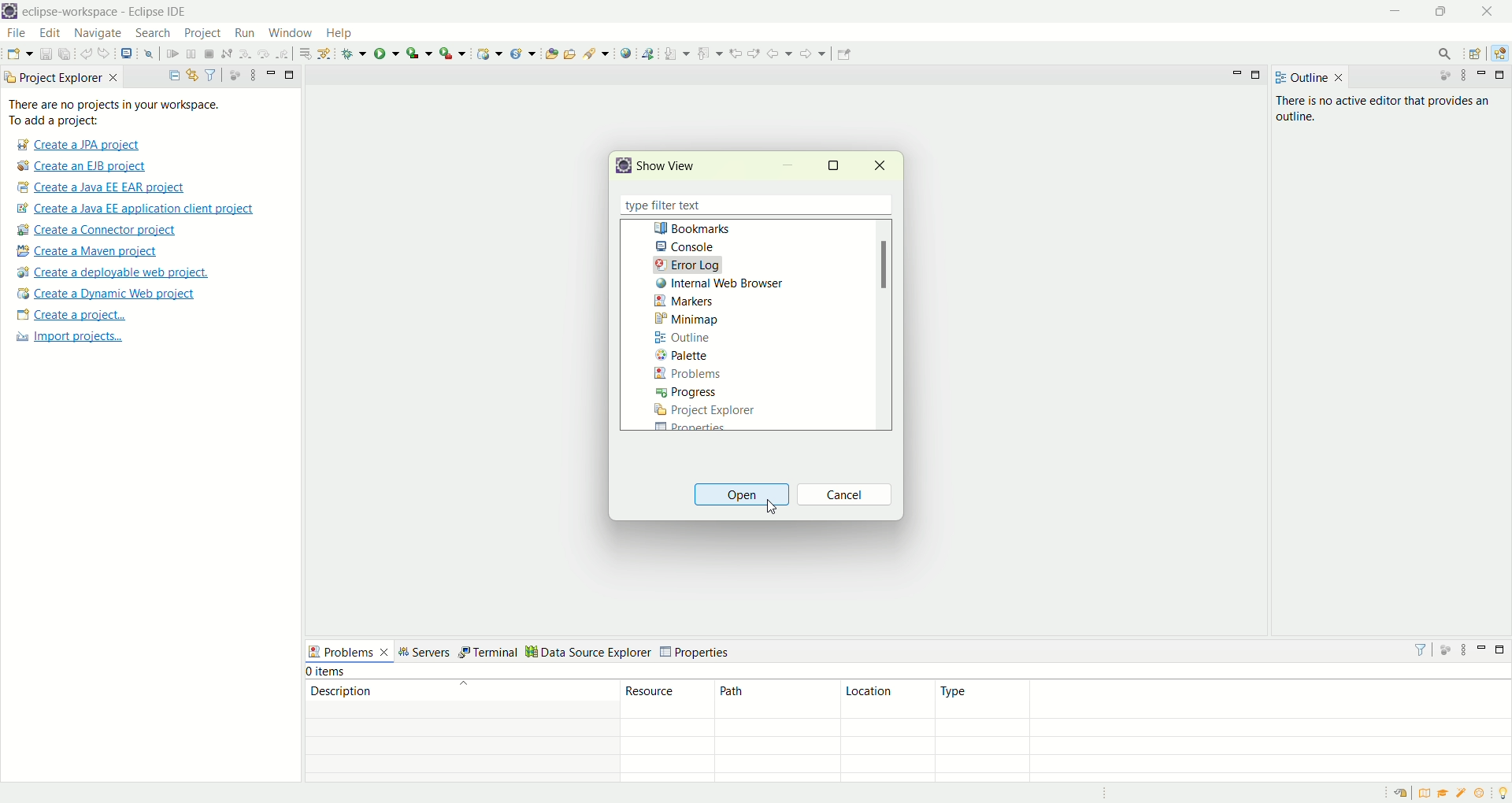  I want to click on progress, so click(691, 394).